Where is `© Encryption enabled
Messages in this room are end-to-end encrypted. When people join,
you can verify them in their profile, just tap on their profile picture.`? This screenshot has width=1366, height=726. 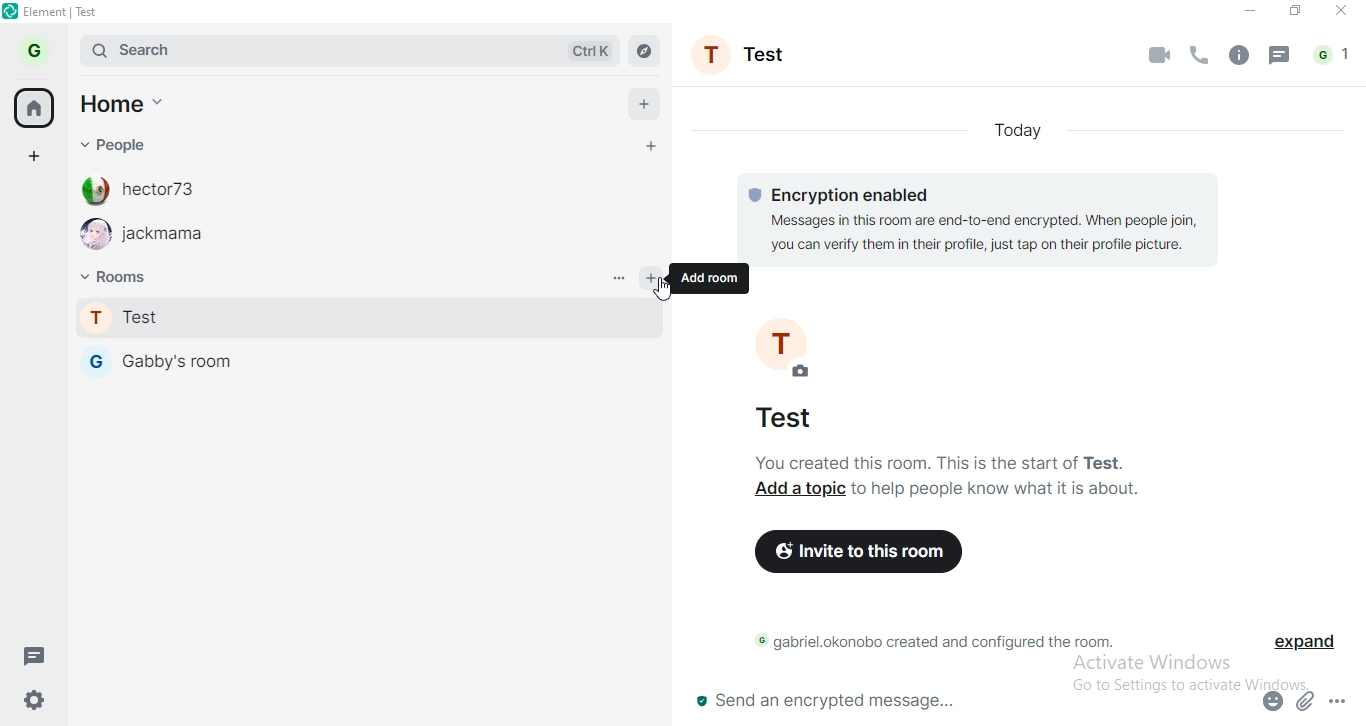
© Encryption enabled
Messages in this room are end-to-end encrypted. When people join,
you can verify them in their profile, just tap on their profile picture. is located at coordinates (974, 215).